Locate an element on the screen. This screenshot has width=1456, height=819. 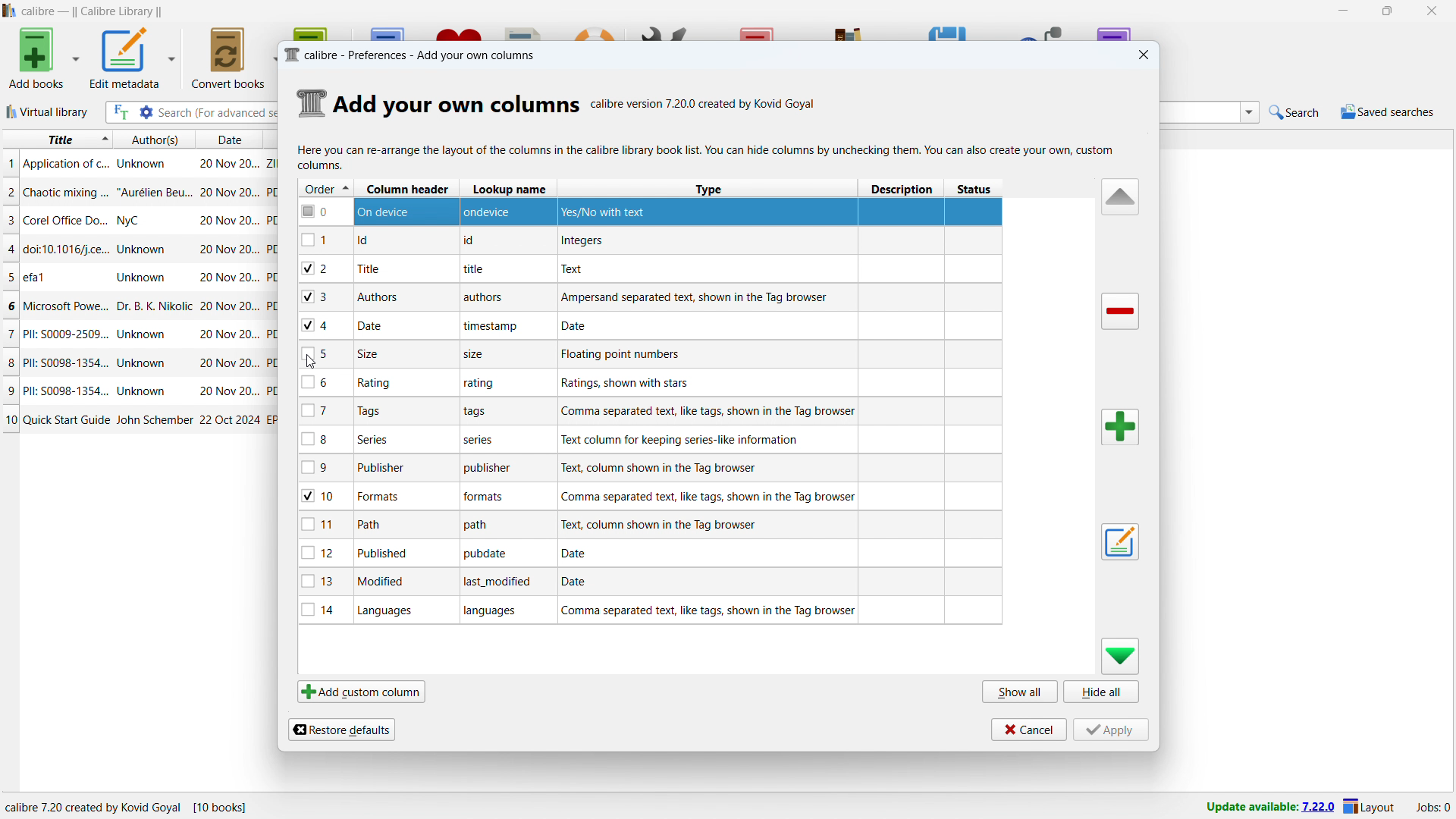
5 is located at coordinates (322, 354).